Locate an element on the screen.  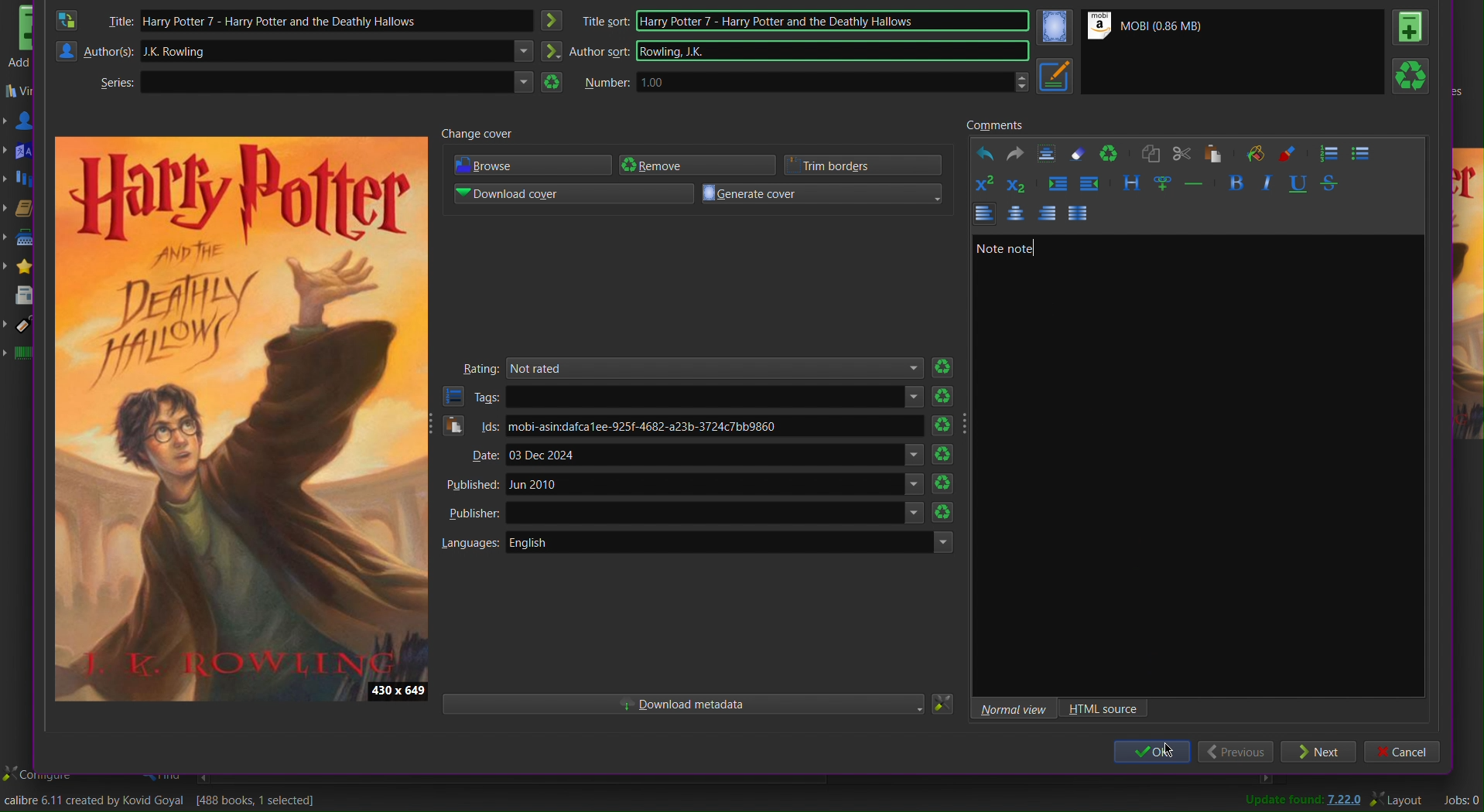
Series is located at coordinates (113, 84).